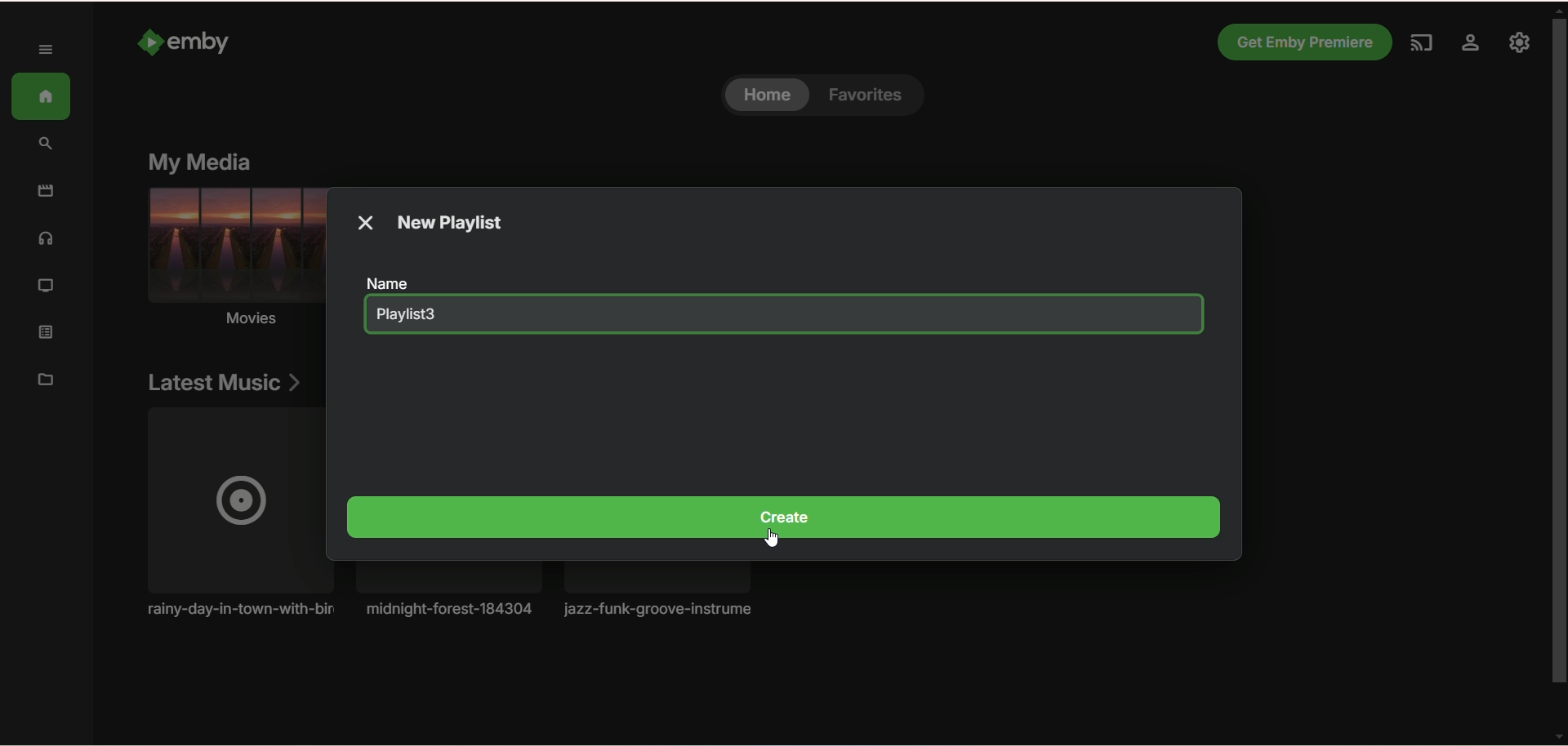 The height and width of the screenshot is (746, 1568). Describe the element at coordinates (46, 191) in the screenshot. I see `movies` at that location.